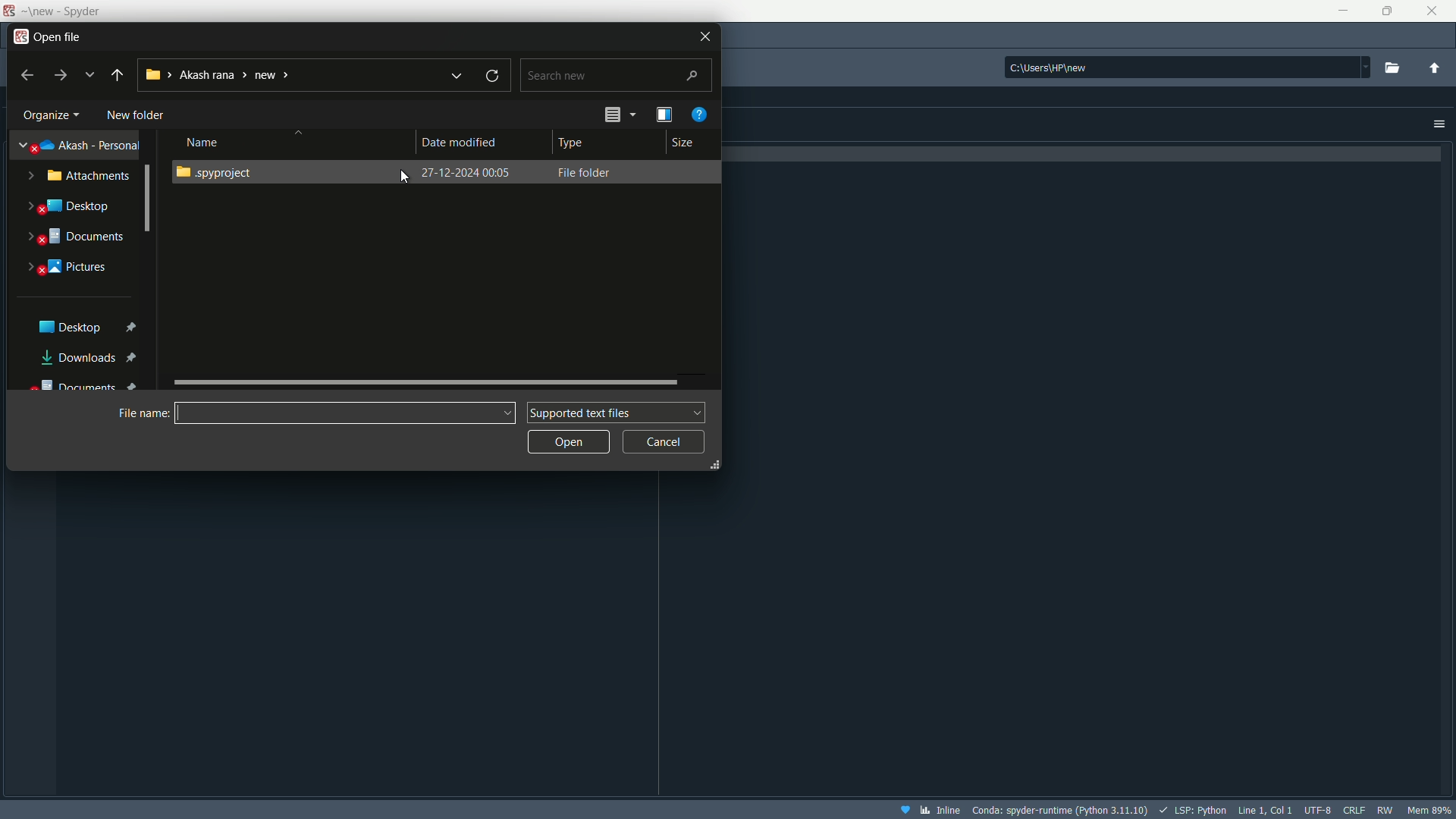 Image resolution: width=1456 pixels, height=819 pixels. What do you see at coordinates (298, 132) in the screenshot?
I see `Sort button` at bounding box center [298, 132].